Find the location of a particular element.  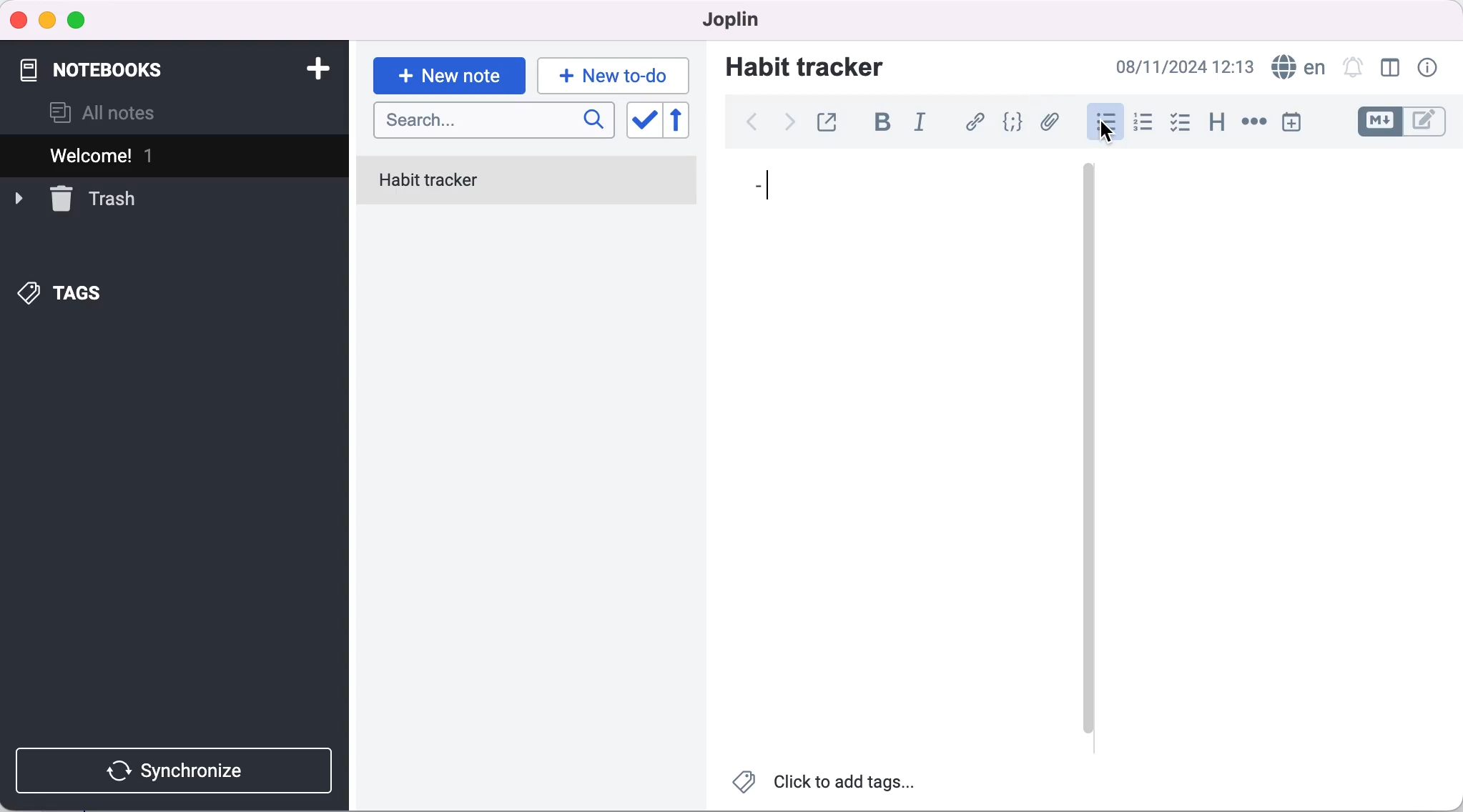

click to add tags is located at coordinates (826, 786).